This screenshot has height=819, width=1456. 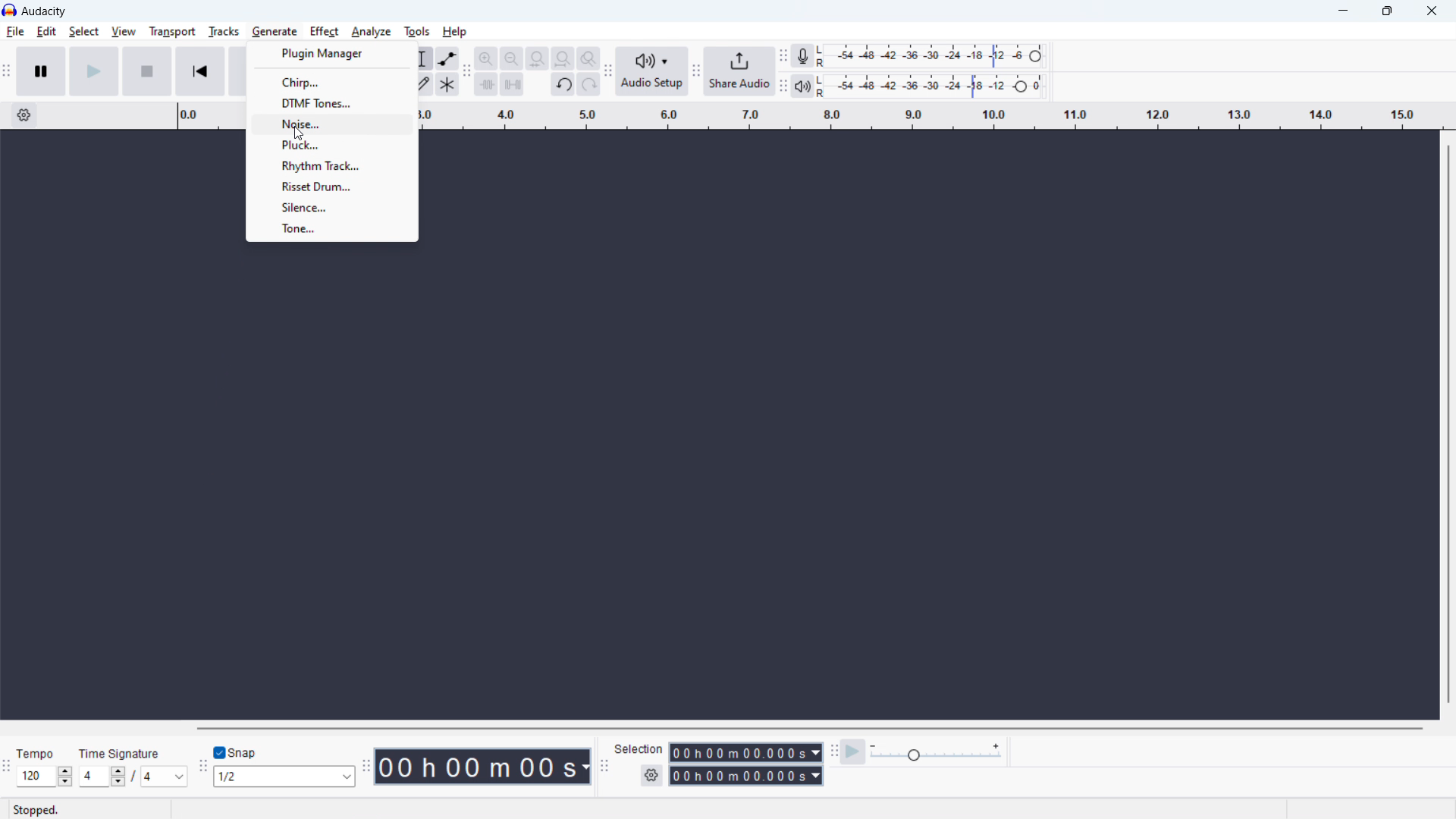 What do you see at coordinates (331, 146) in the screenshot?
I see `pluck` at bounding box center [331, 146].